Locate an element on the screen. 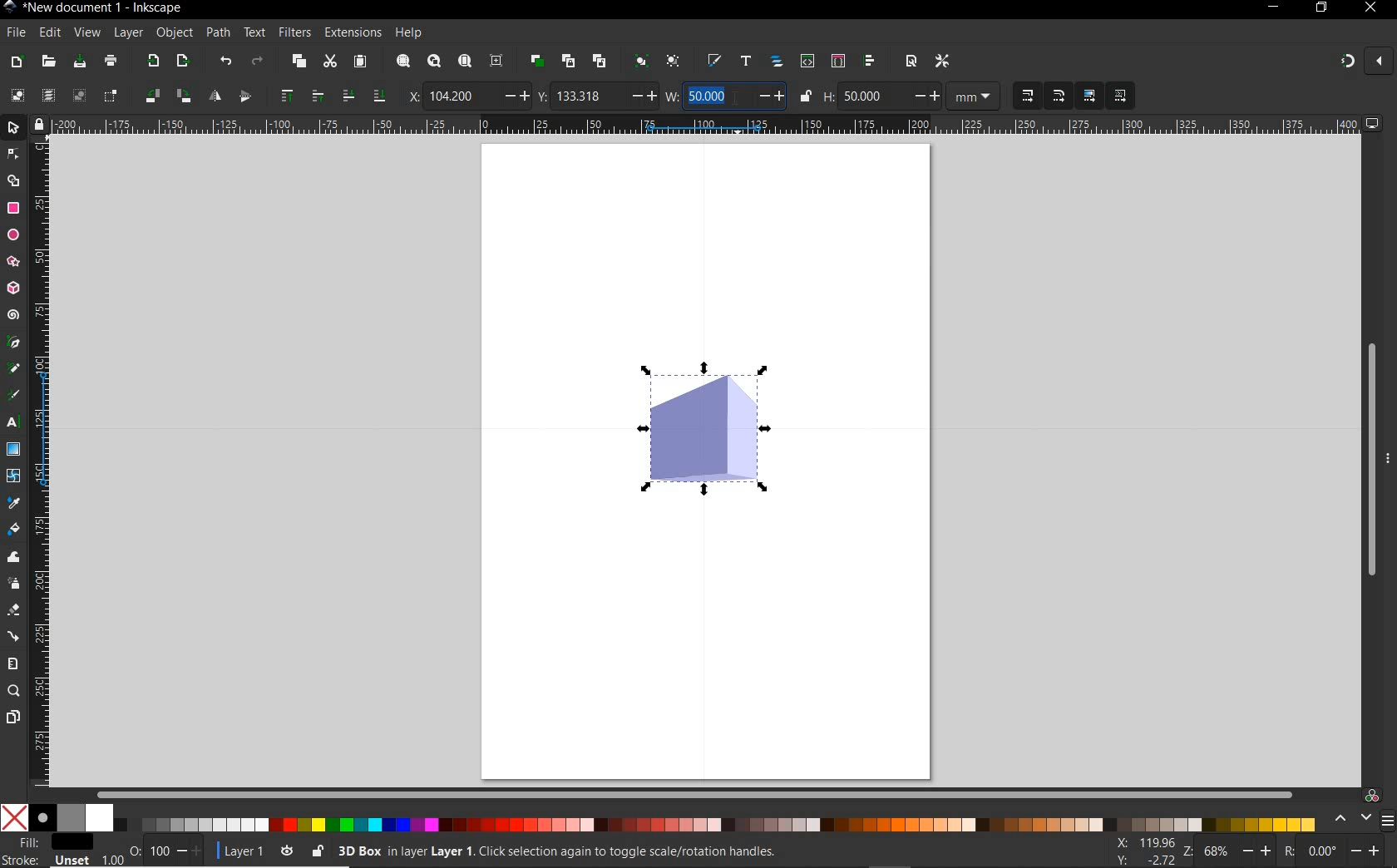 This screenshot has height=868, width=1397. pencil tool is located at coordinates (11, 369).